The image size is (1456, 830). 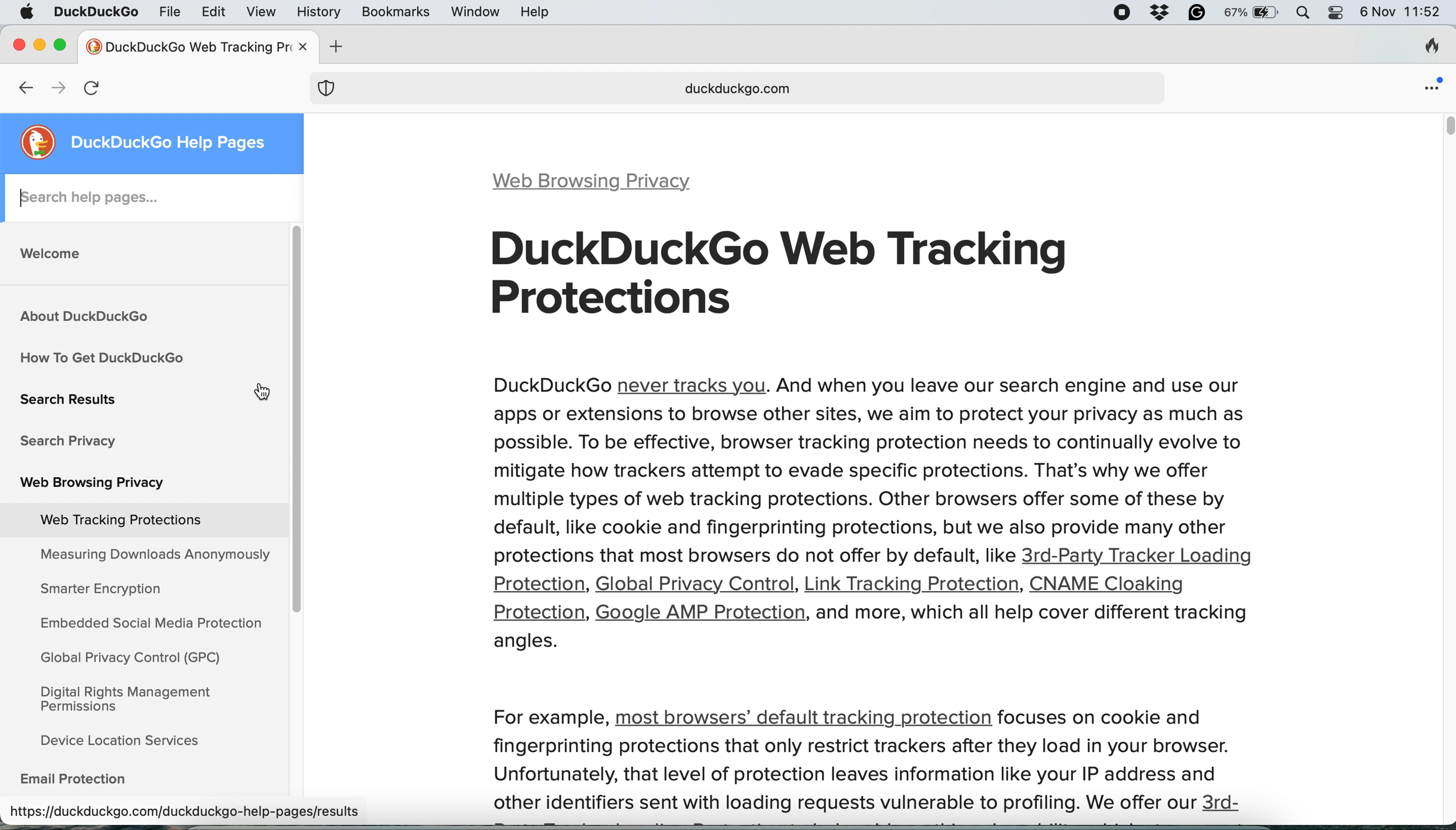 I want to click on edit, so click(x=212, y=12).